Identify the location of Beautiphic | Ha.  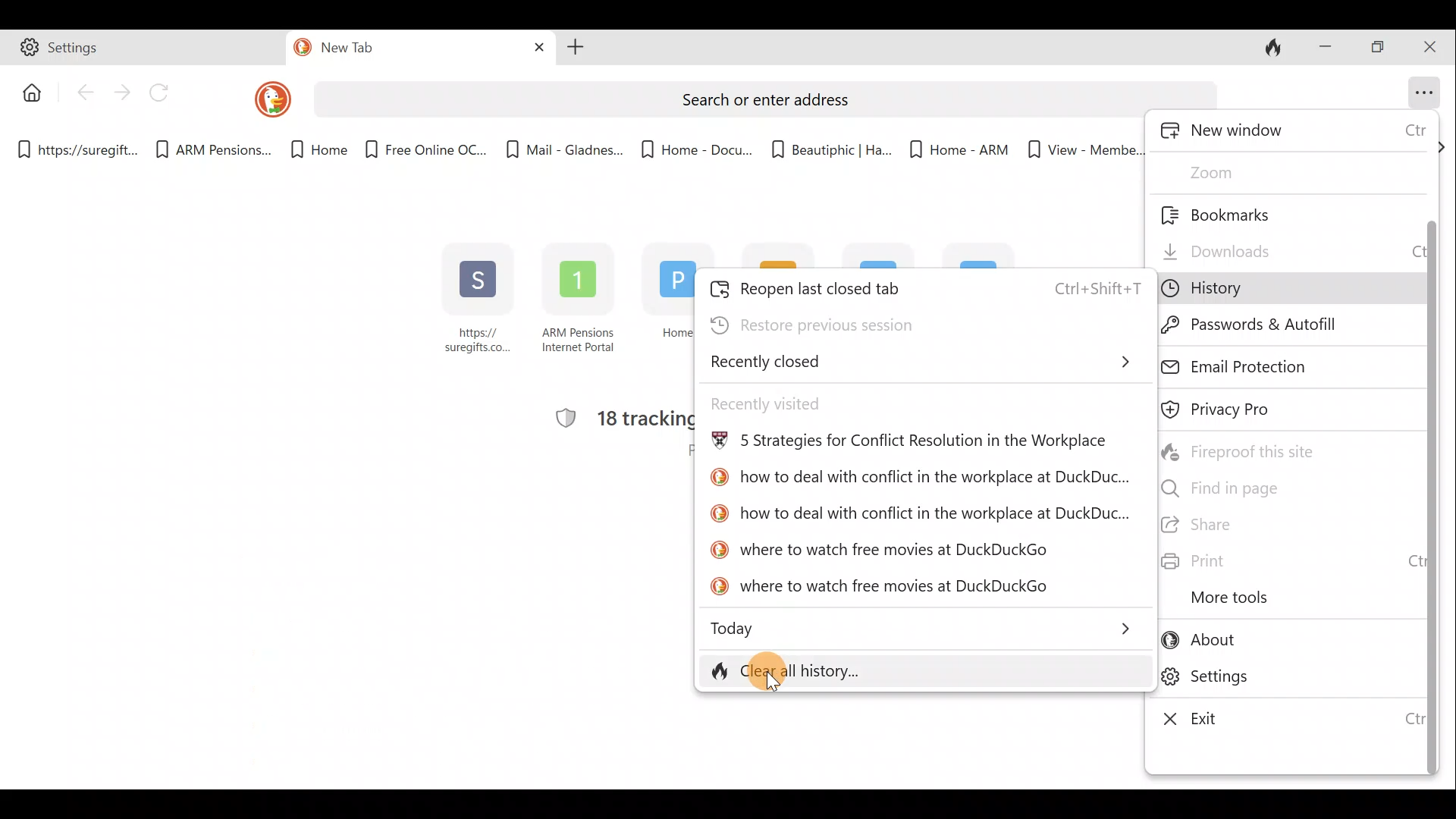
(828, 146).